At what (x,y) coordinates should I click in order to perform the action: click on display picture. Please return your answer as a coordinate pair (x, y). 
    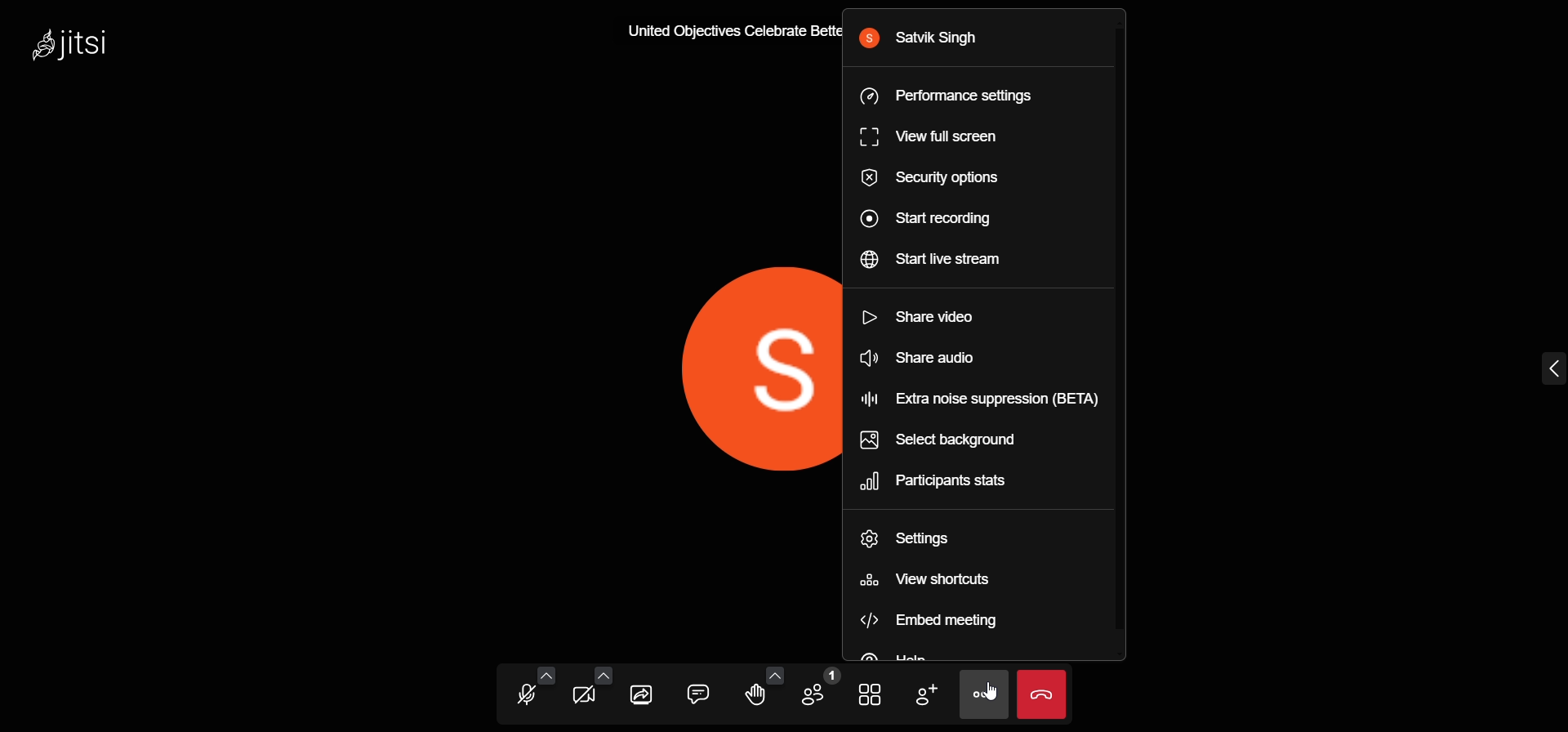
    Looking at the image, I should click on (739, 363).